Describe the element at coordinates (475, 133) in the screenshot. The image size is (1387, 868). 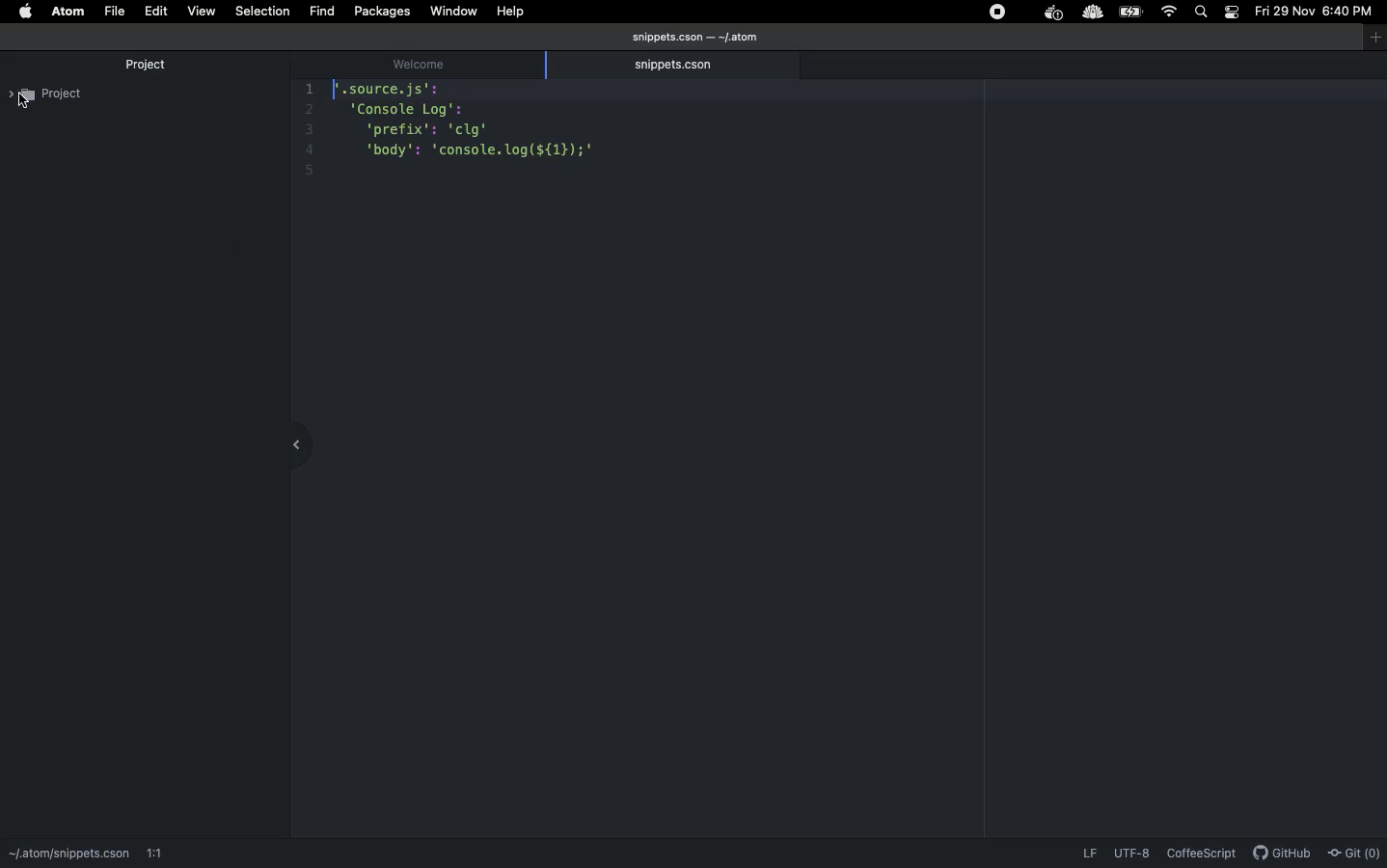
I see `Code` at that location.